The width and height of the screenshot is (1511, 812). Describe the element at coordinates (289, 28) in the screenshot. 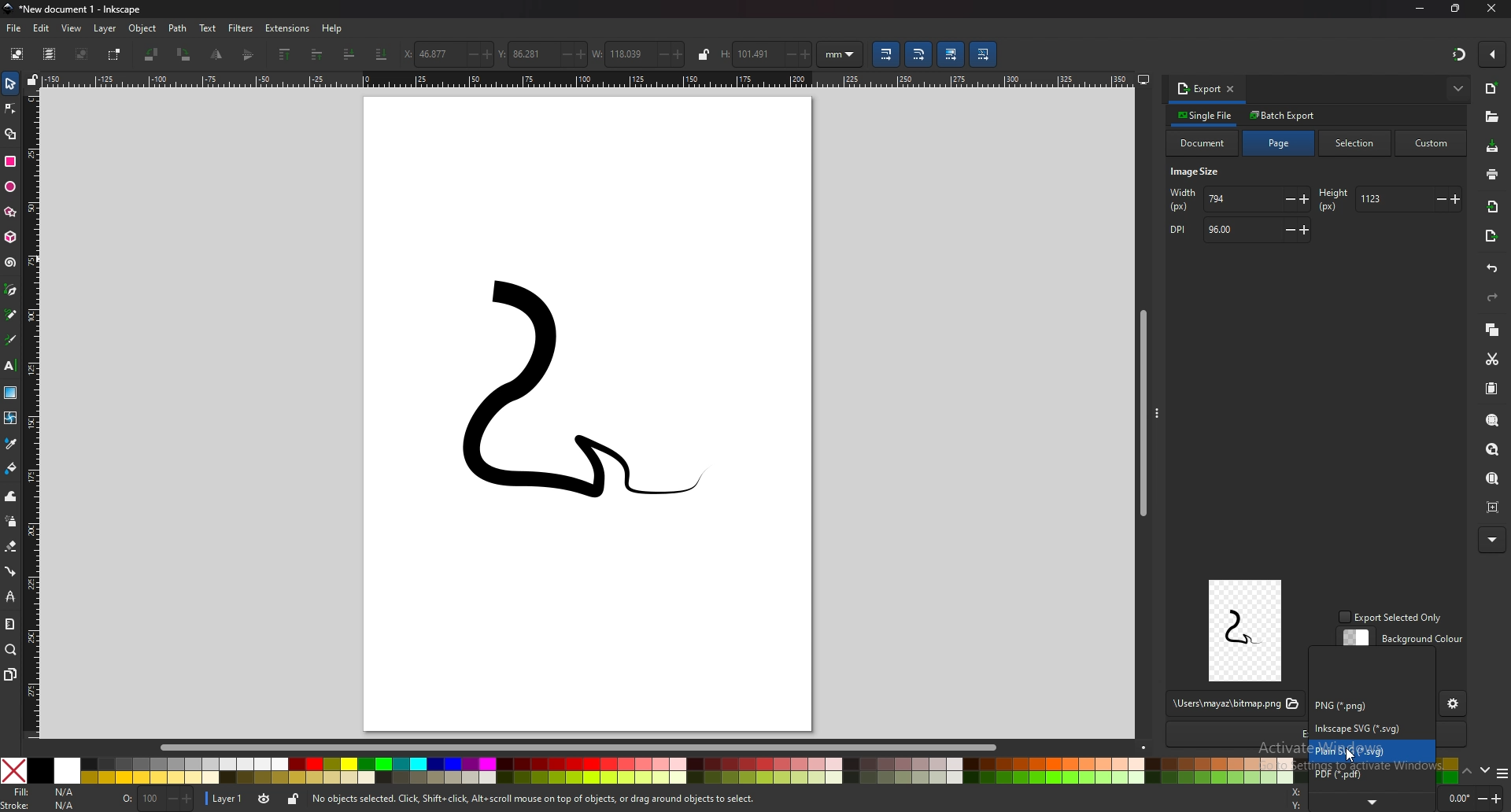

I see `extensions` at that location.